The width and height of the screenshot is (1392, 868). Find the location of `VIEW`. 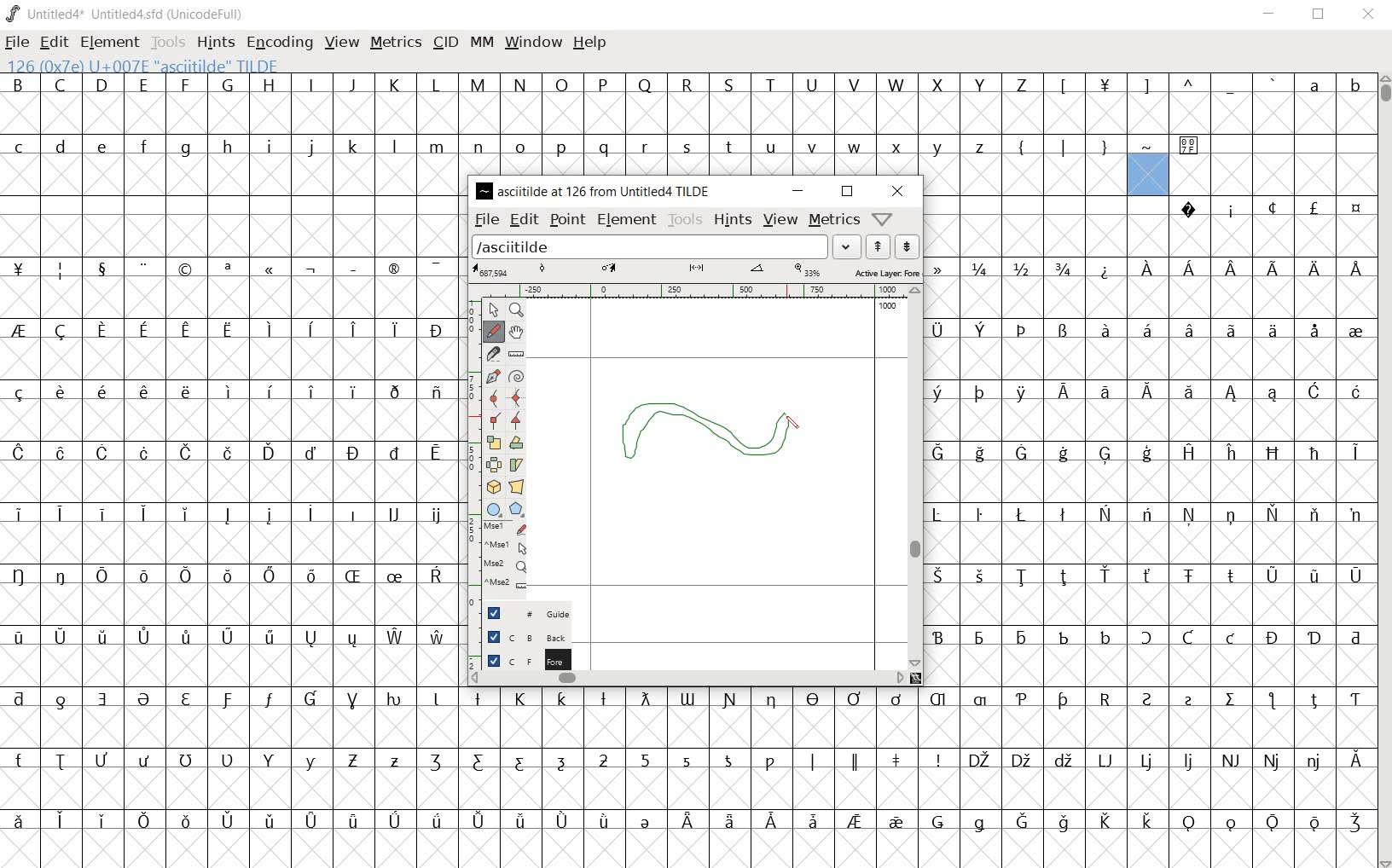

VIEW is located at coordinates (339, 42).